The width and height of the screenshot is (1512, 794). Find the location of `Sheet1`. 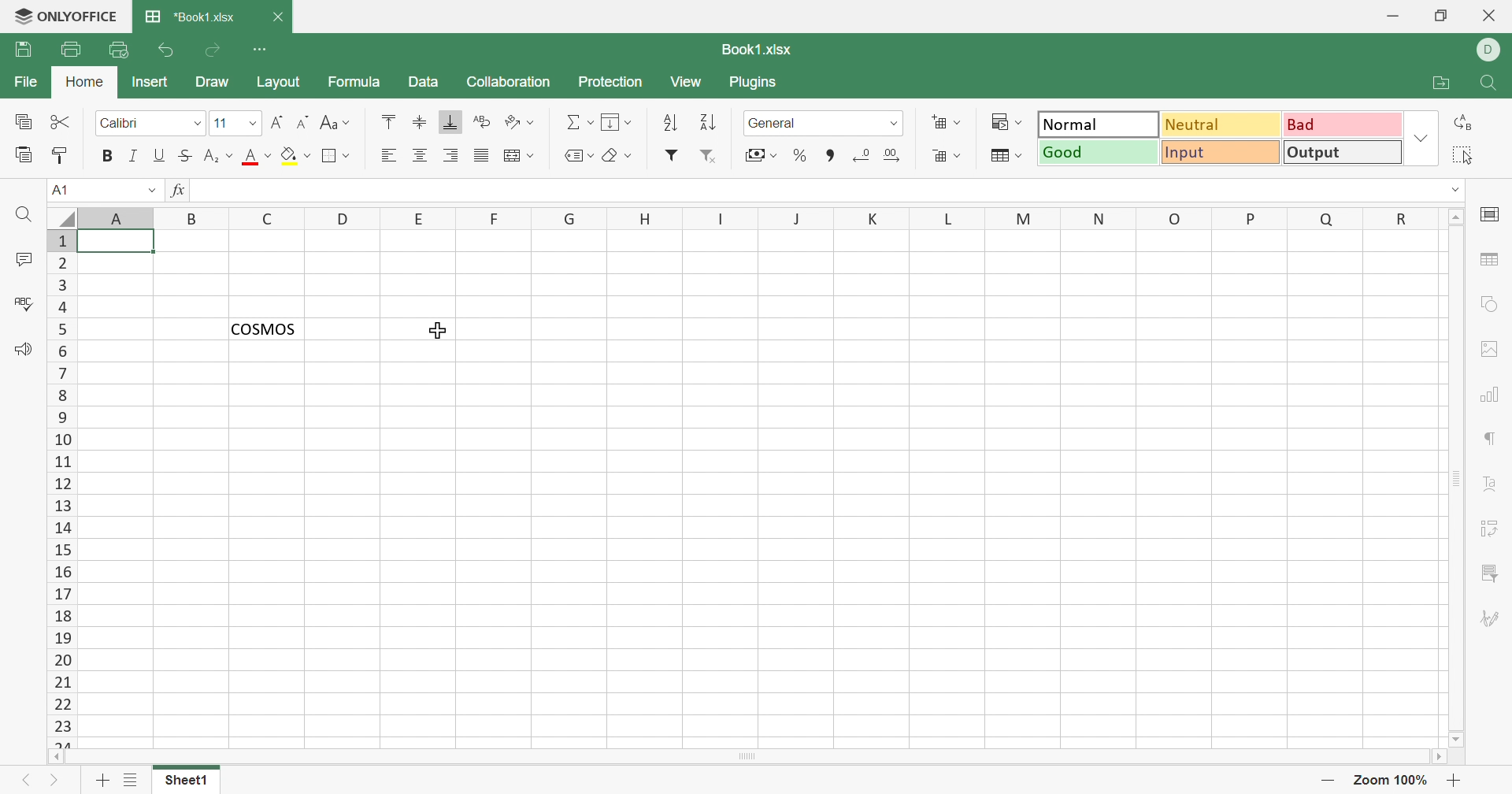

Sheet1 is located at coordinates (187, 783).